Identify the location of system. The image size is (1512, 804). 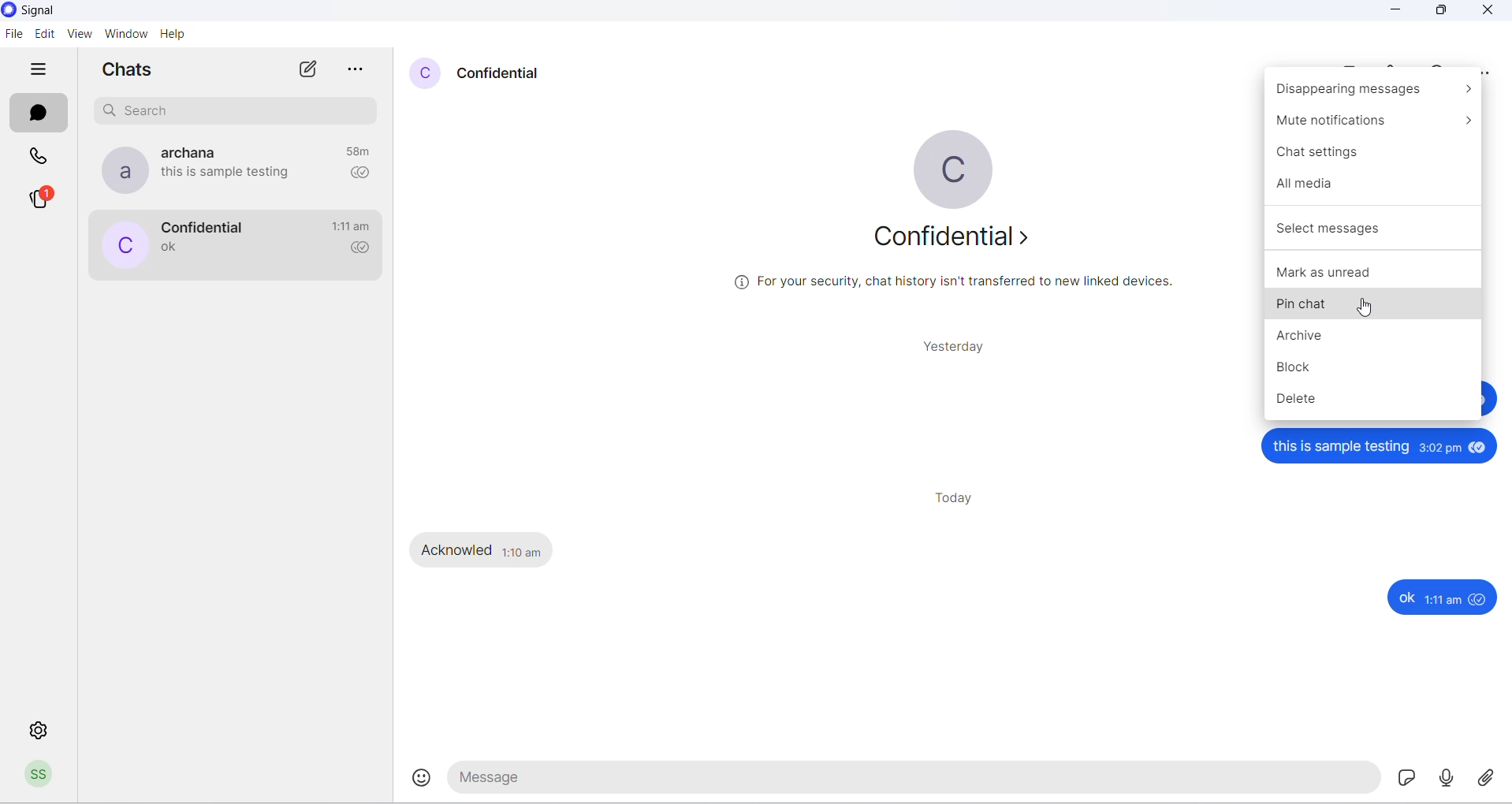
(56, 12).